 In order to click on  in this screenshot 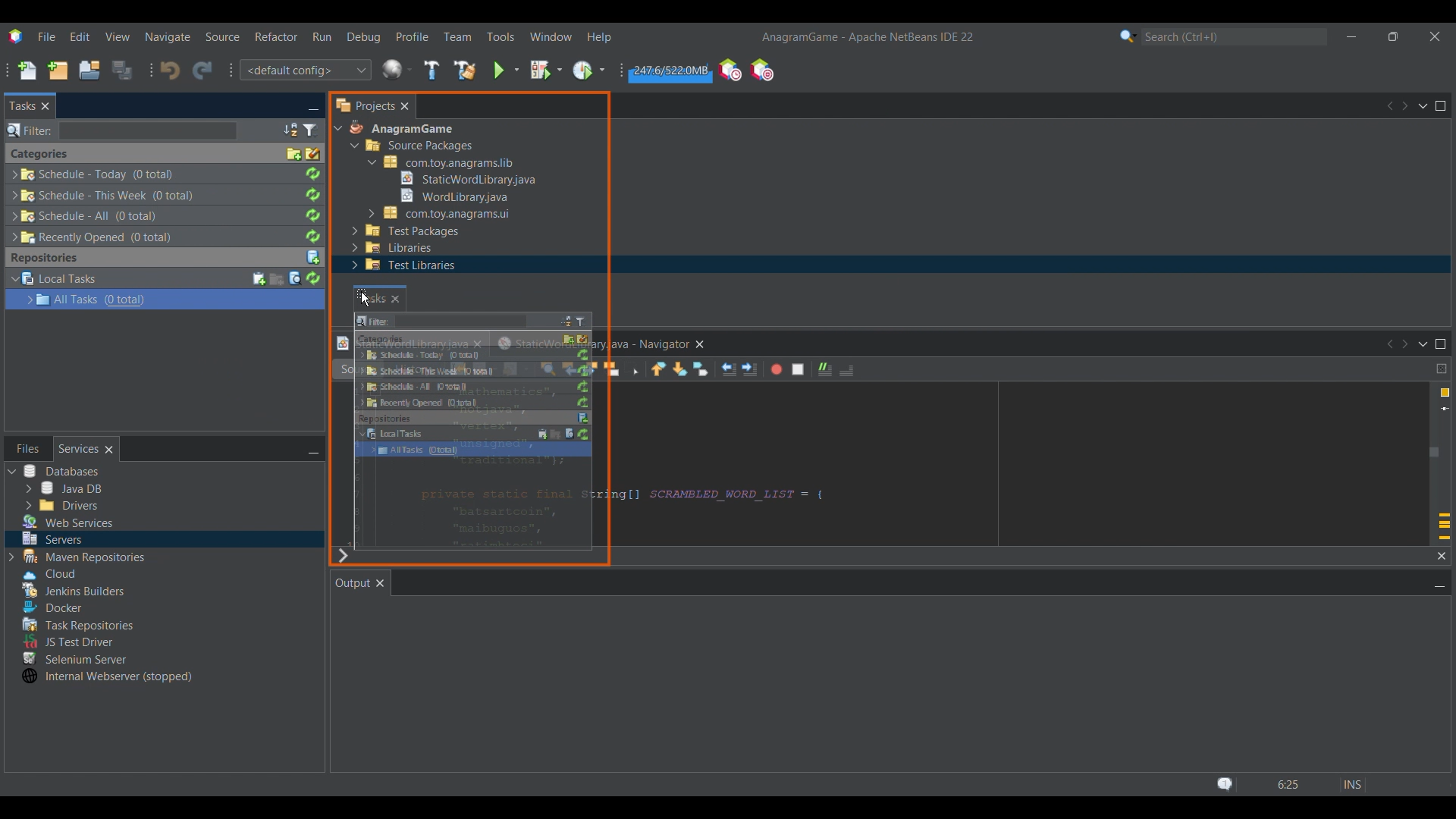, I will do `click(64, 488)`.